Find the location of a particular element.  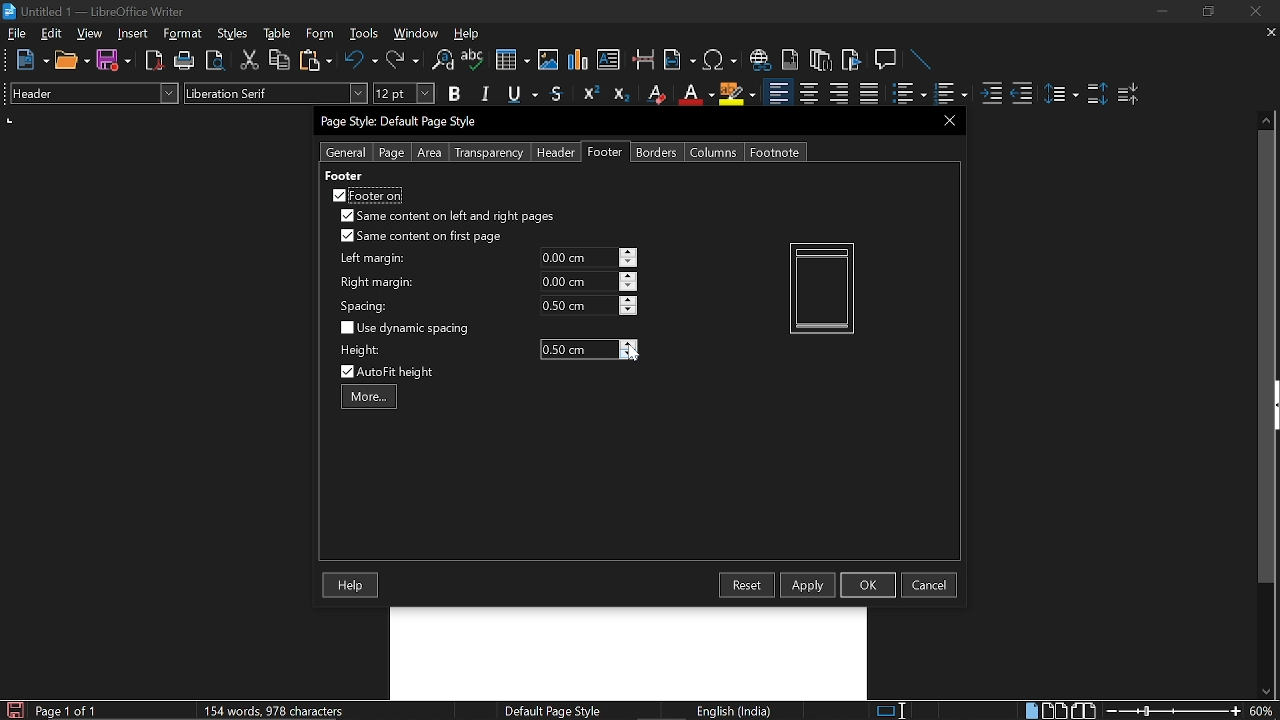

increase right margin is located at coordinates (629, 276).